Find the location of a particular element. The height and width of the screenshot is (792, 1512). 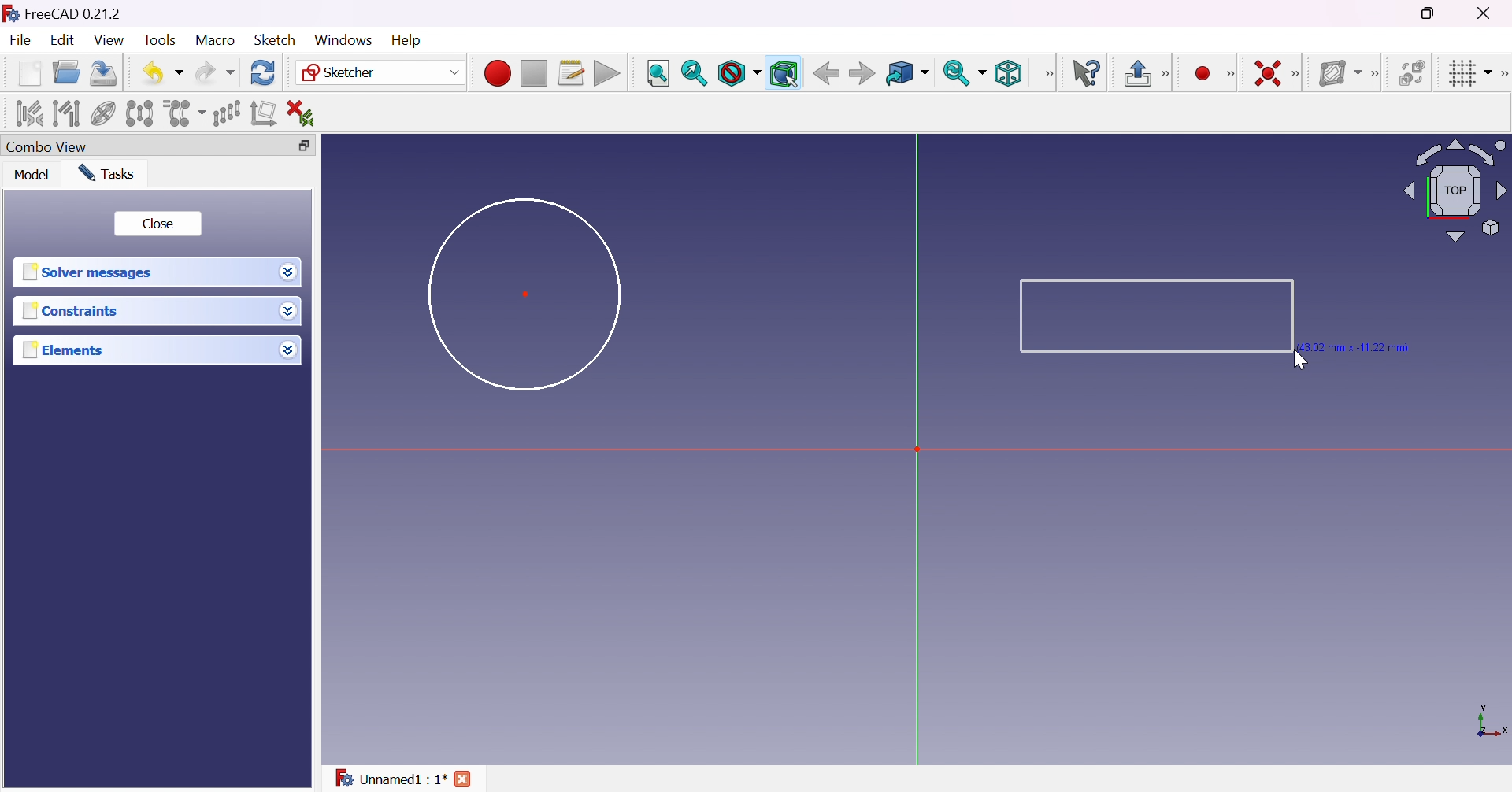

Forward is located at coordinates (862, 75).